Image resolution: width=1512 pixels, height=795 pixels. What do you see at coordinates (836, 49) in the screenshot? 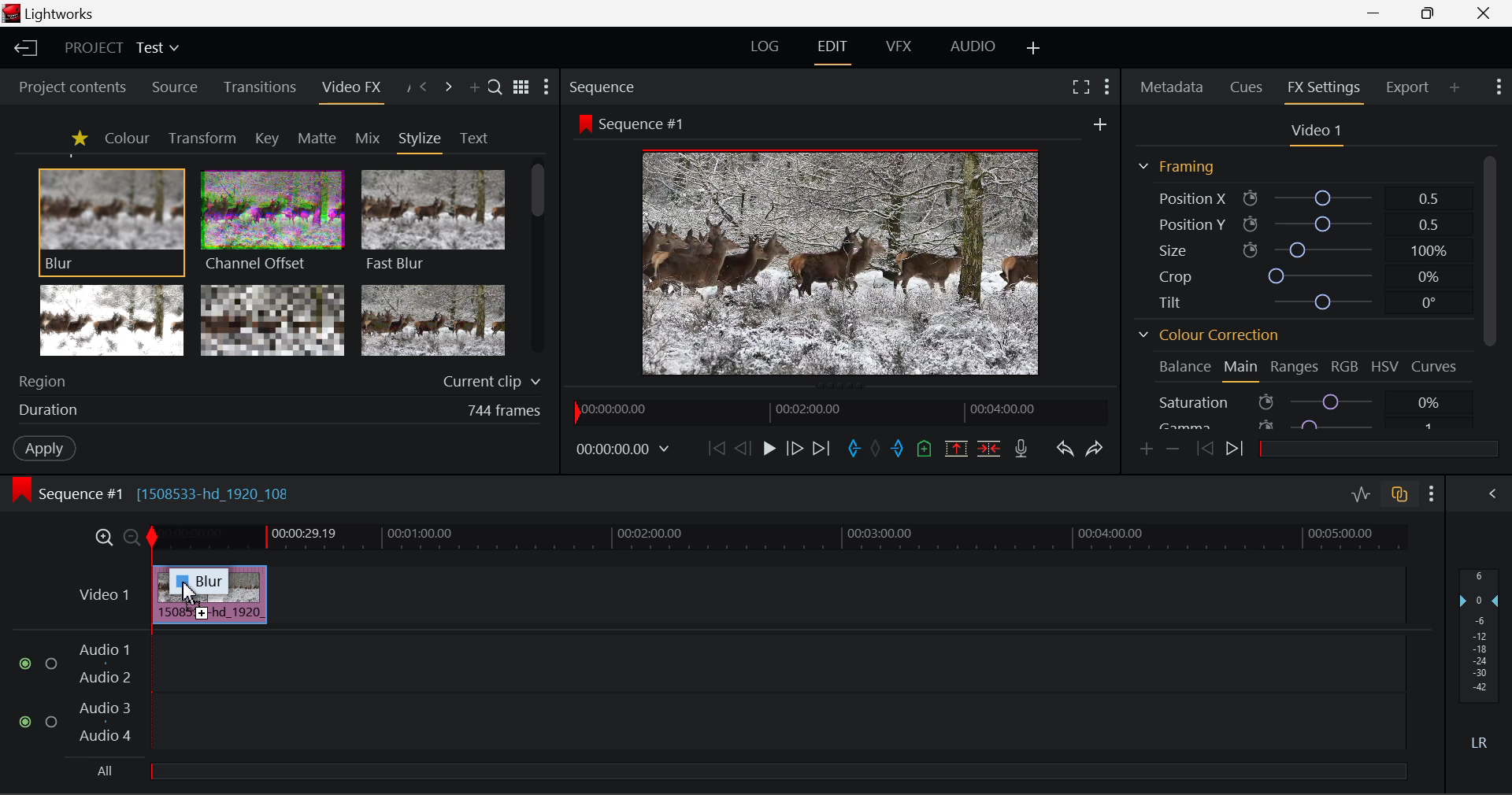
I see `Edit Layout Open` at bounding box center [836, 49].